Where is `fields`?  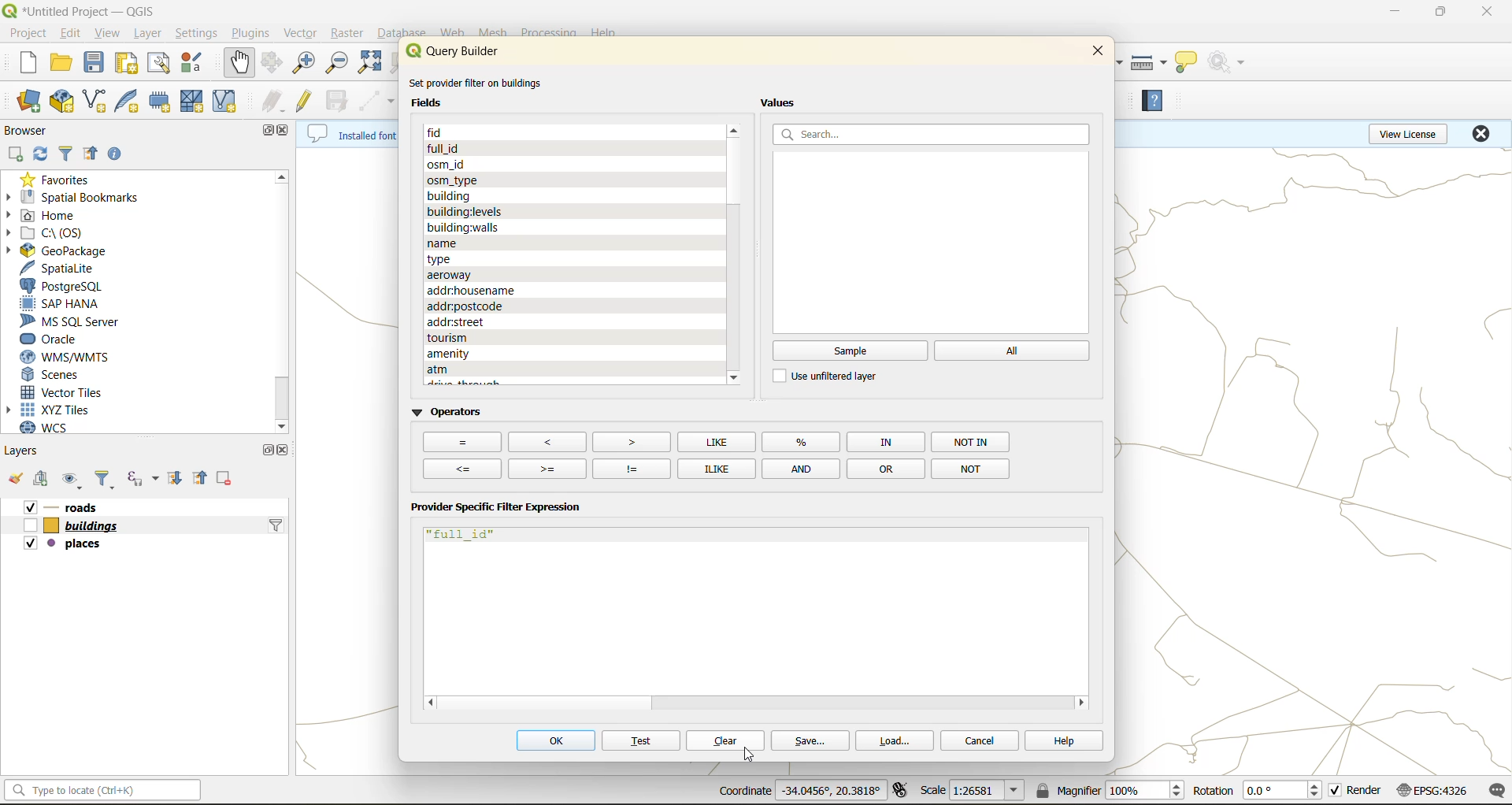
fields is located at coordinates (474, 290).